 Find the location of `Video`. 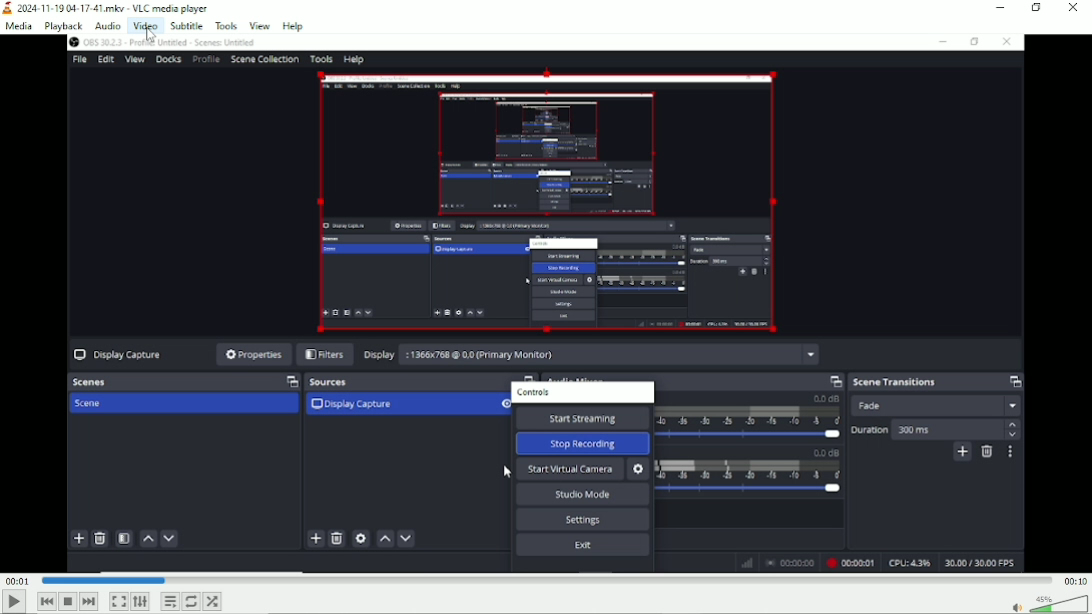

Video is located at coordinates (145, 26).